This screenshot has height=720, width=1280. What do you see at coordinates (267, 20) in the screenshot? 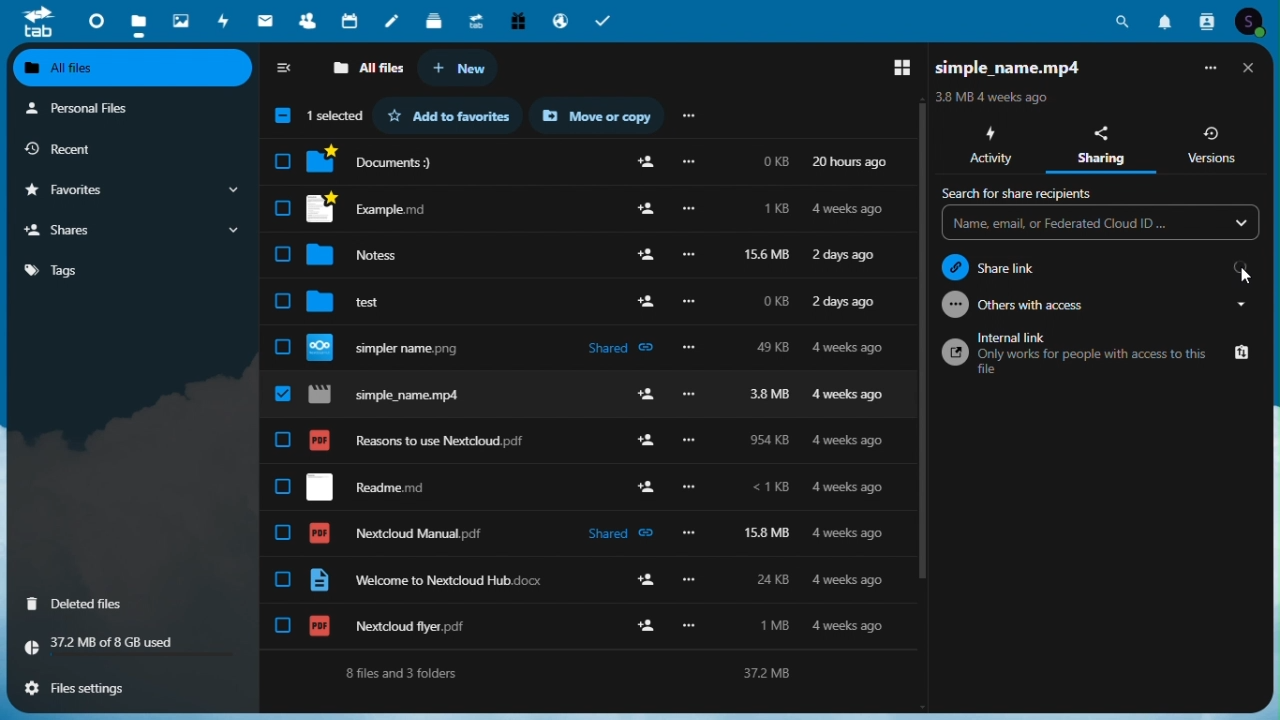
I see `Mail` at bounding box center [267, 20].